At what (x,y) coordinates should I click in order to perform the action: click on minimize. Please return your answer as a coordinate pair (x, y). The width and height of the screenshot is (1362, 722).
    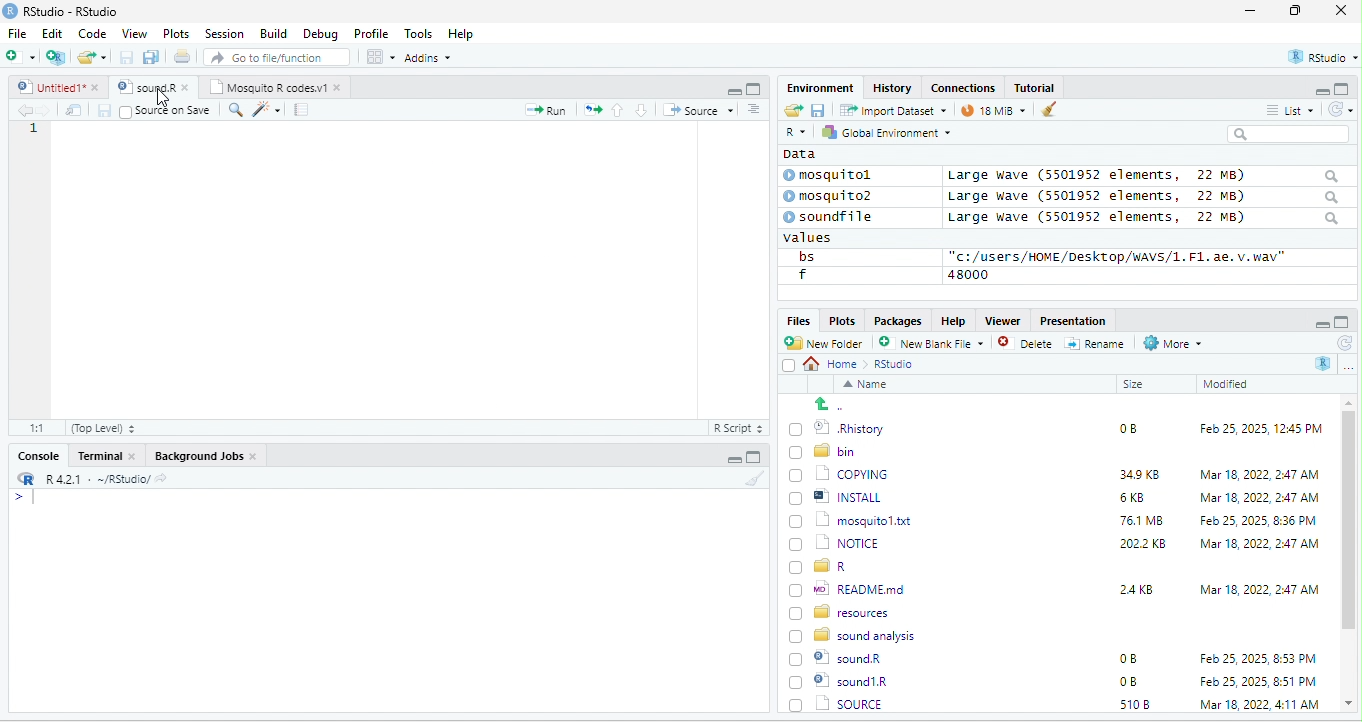
    Looking at the image, I should click on (1314, 90).